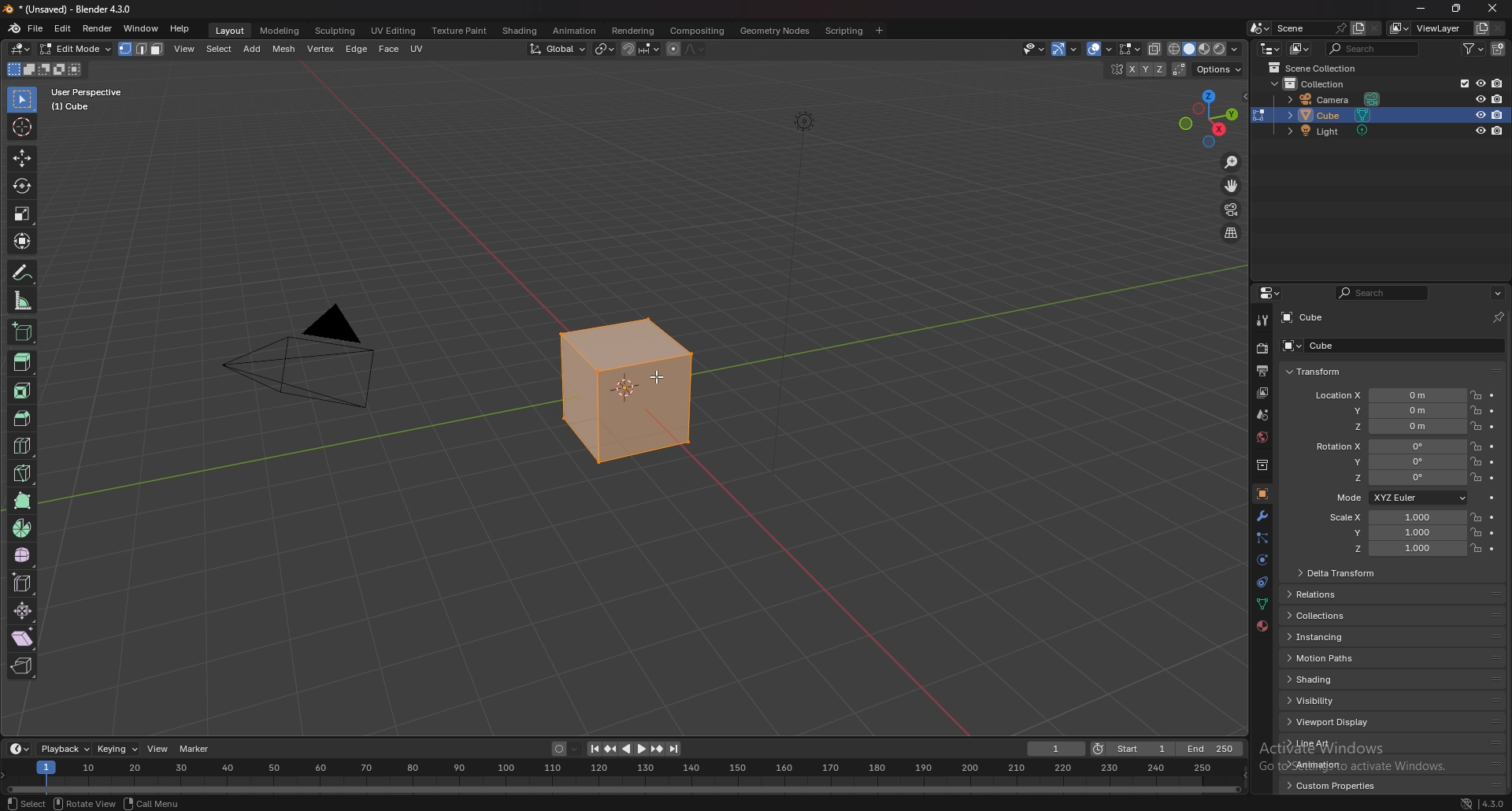  Describe the element at coordinates (1498, 115) in the screenshot. I see `disable in render` at that location.